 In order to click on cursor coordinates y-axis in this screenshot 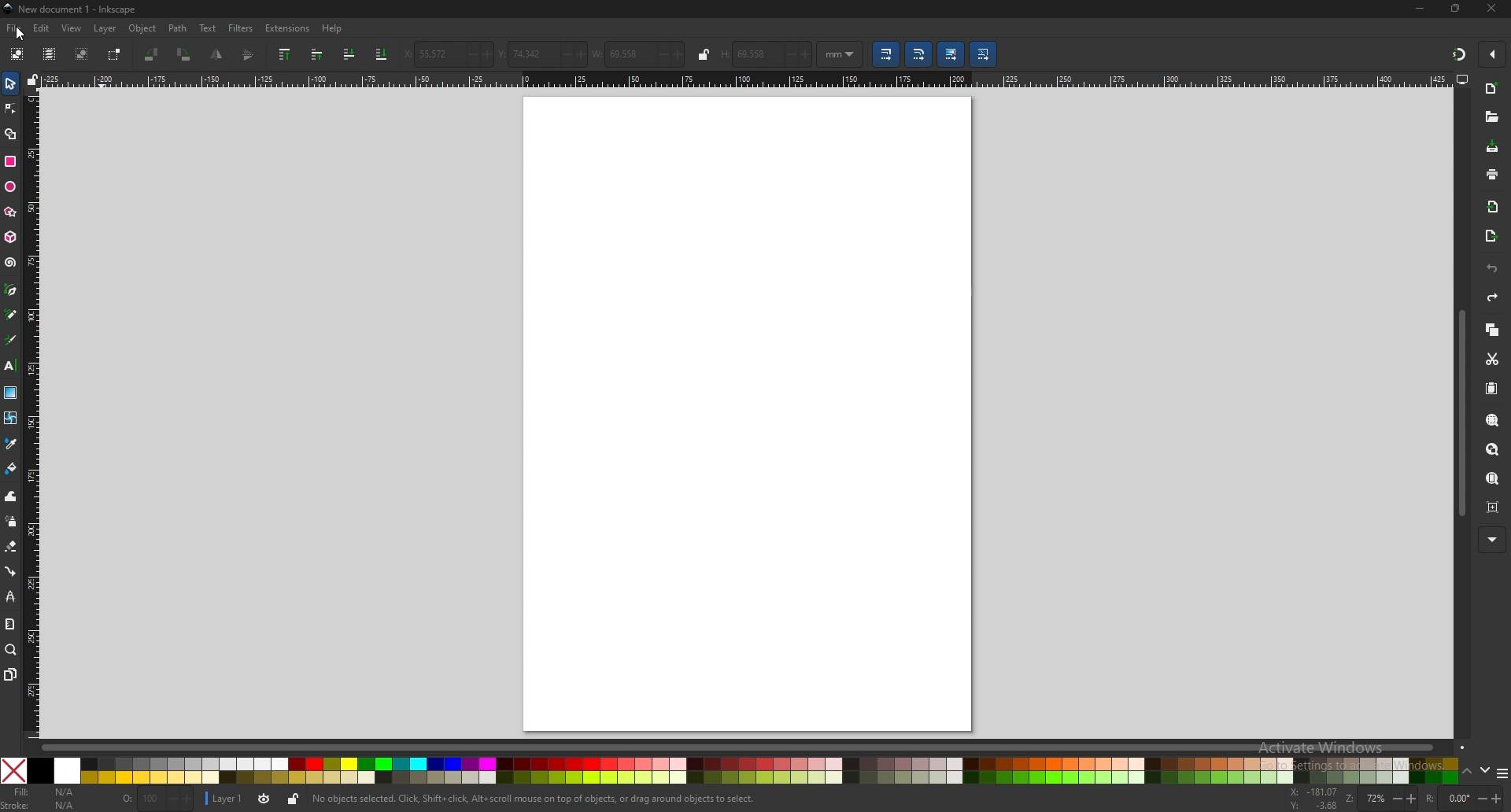, I will do `click(1312, 806)`.